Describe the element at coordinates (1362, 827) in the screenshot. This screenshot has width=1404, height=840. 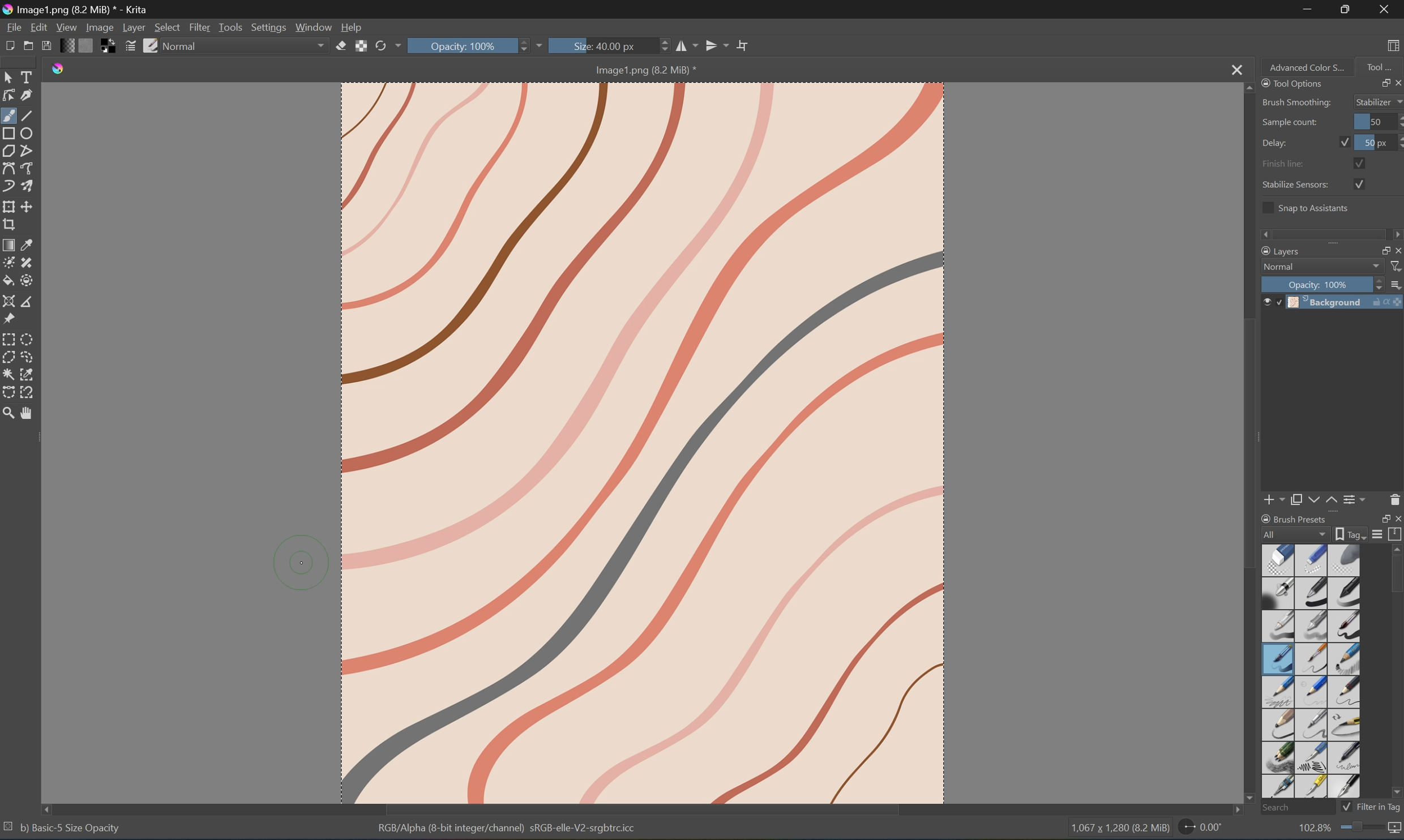
I see `Slider` at that location.